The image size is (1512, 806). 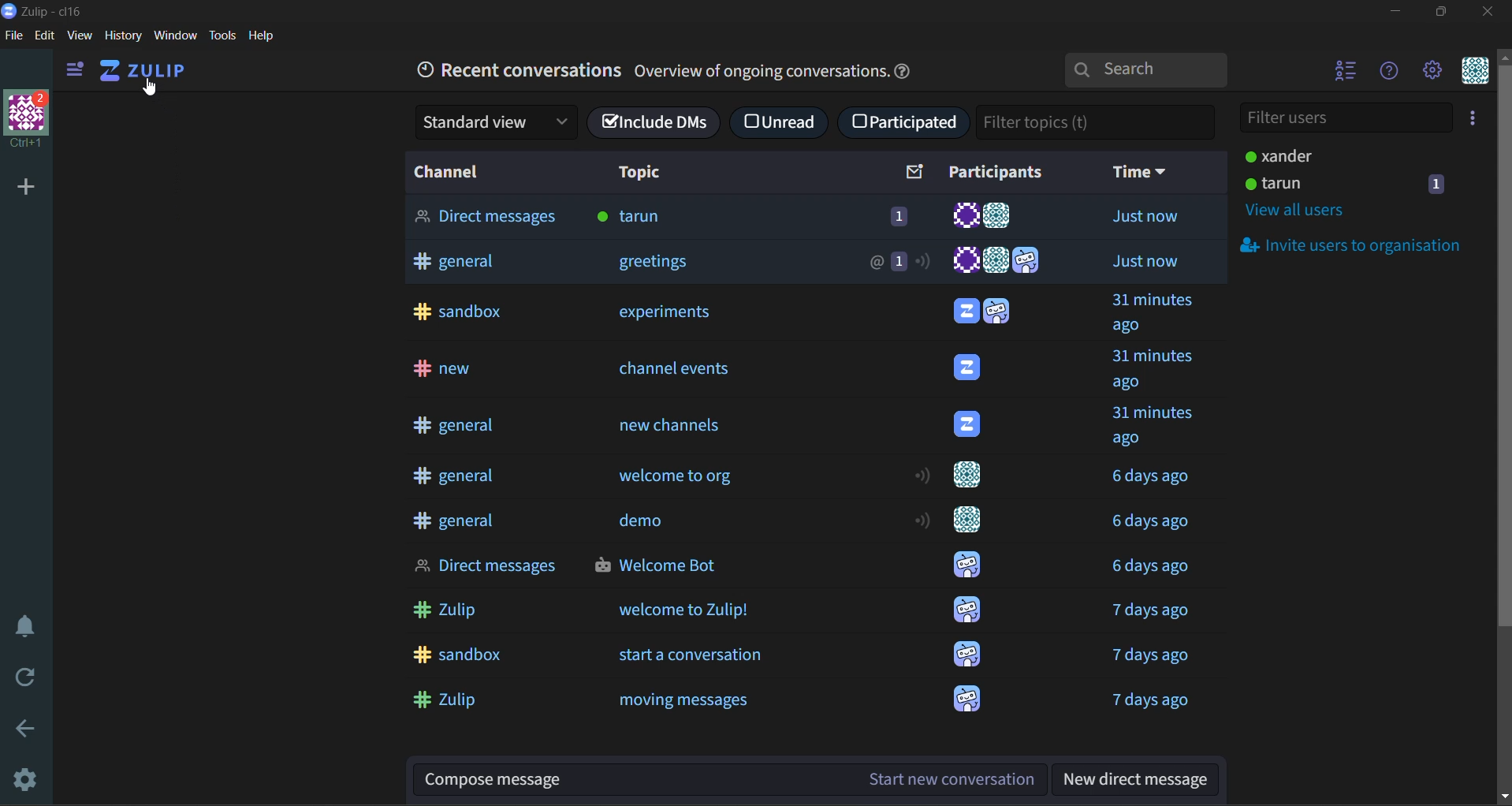 I want to click on main menu, so click(x=1435, y=75).